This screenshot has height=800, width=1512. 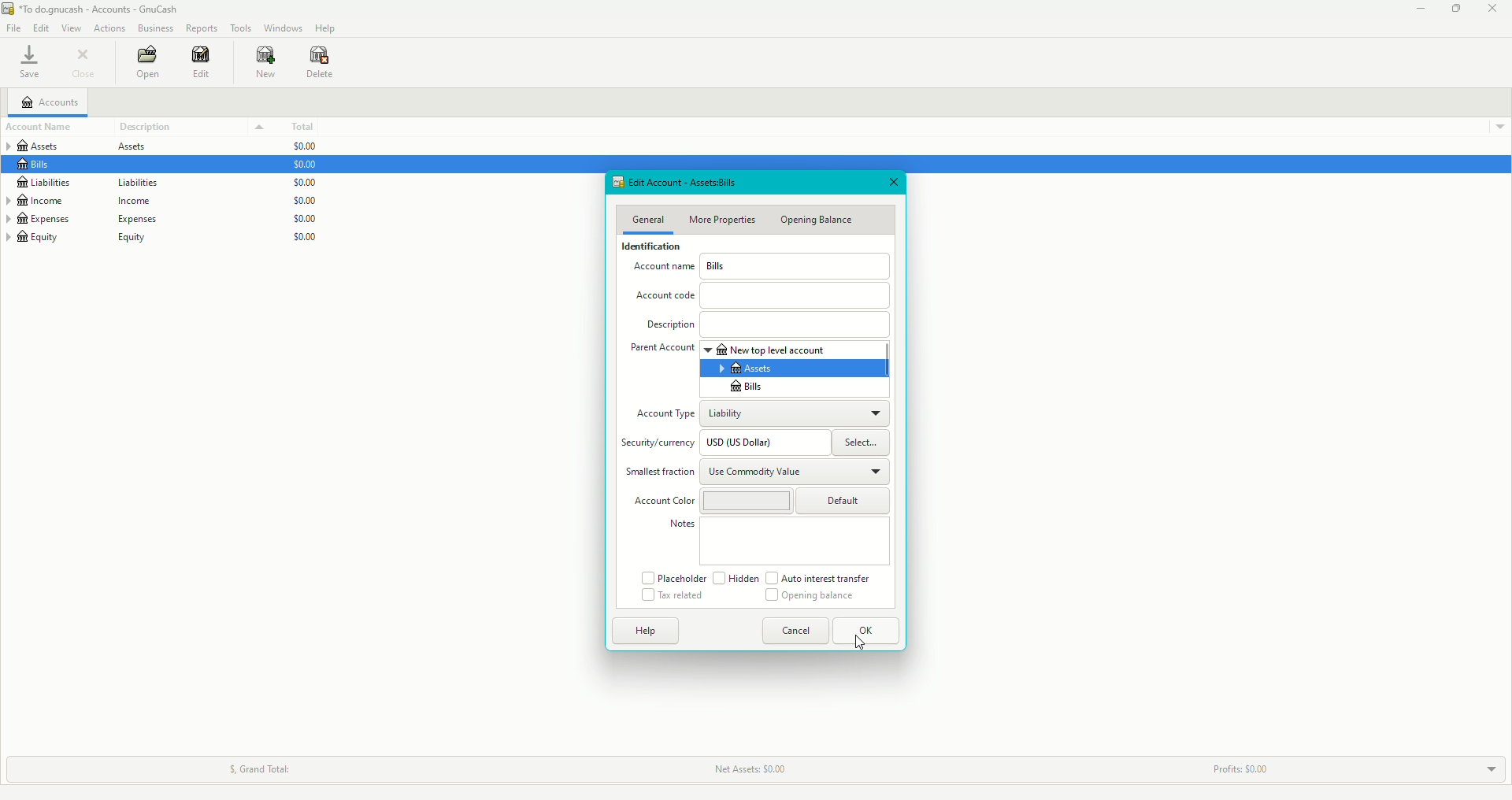 I want to click on Security/currency, so click(x=661, y=443).